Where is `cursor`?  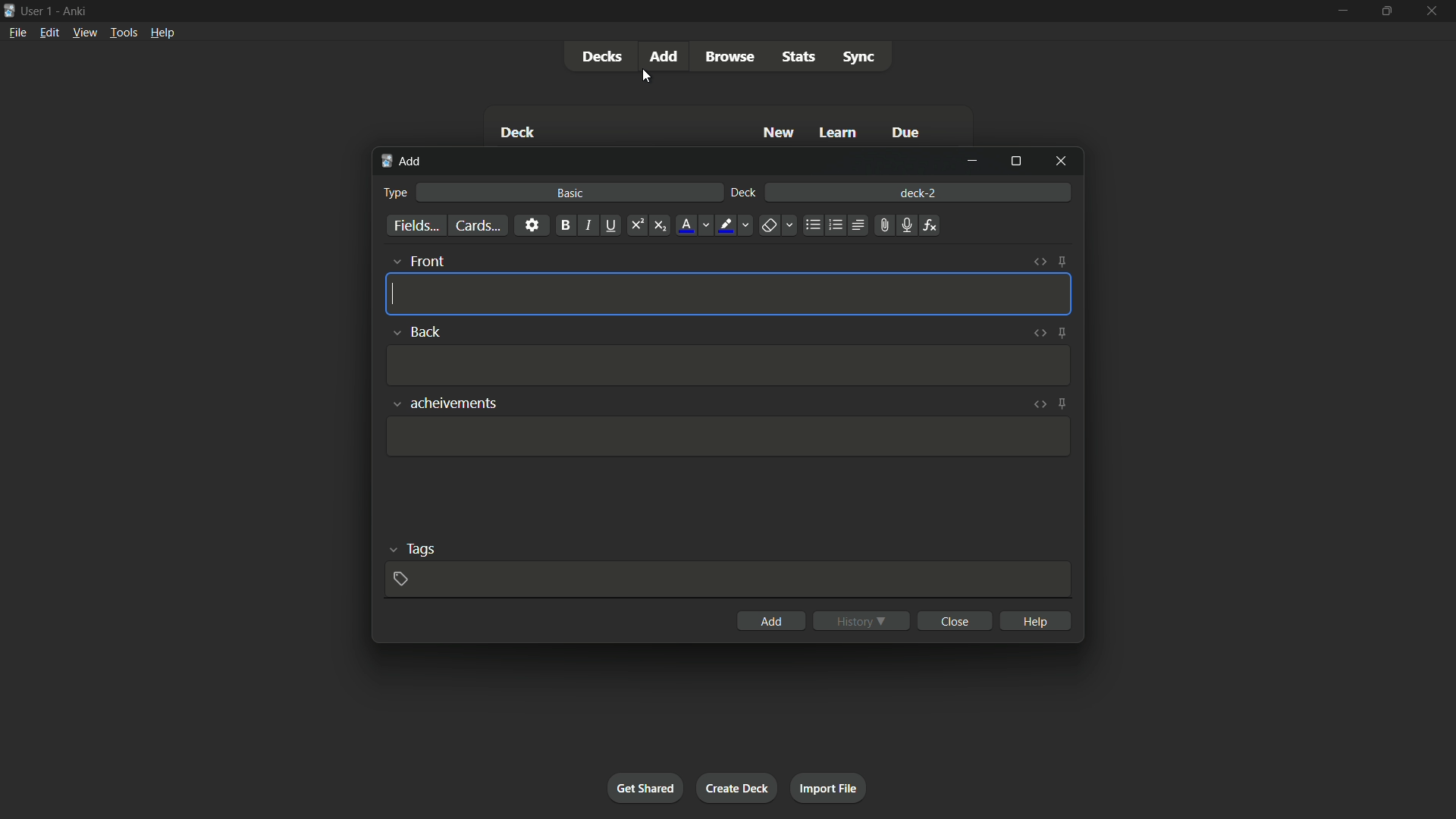
cursor is located at coordinates (645, 78).